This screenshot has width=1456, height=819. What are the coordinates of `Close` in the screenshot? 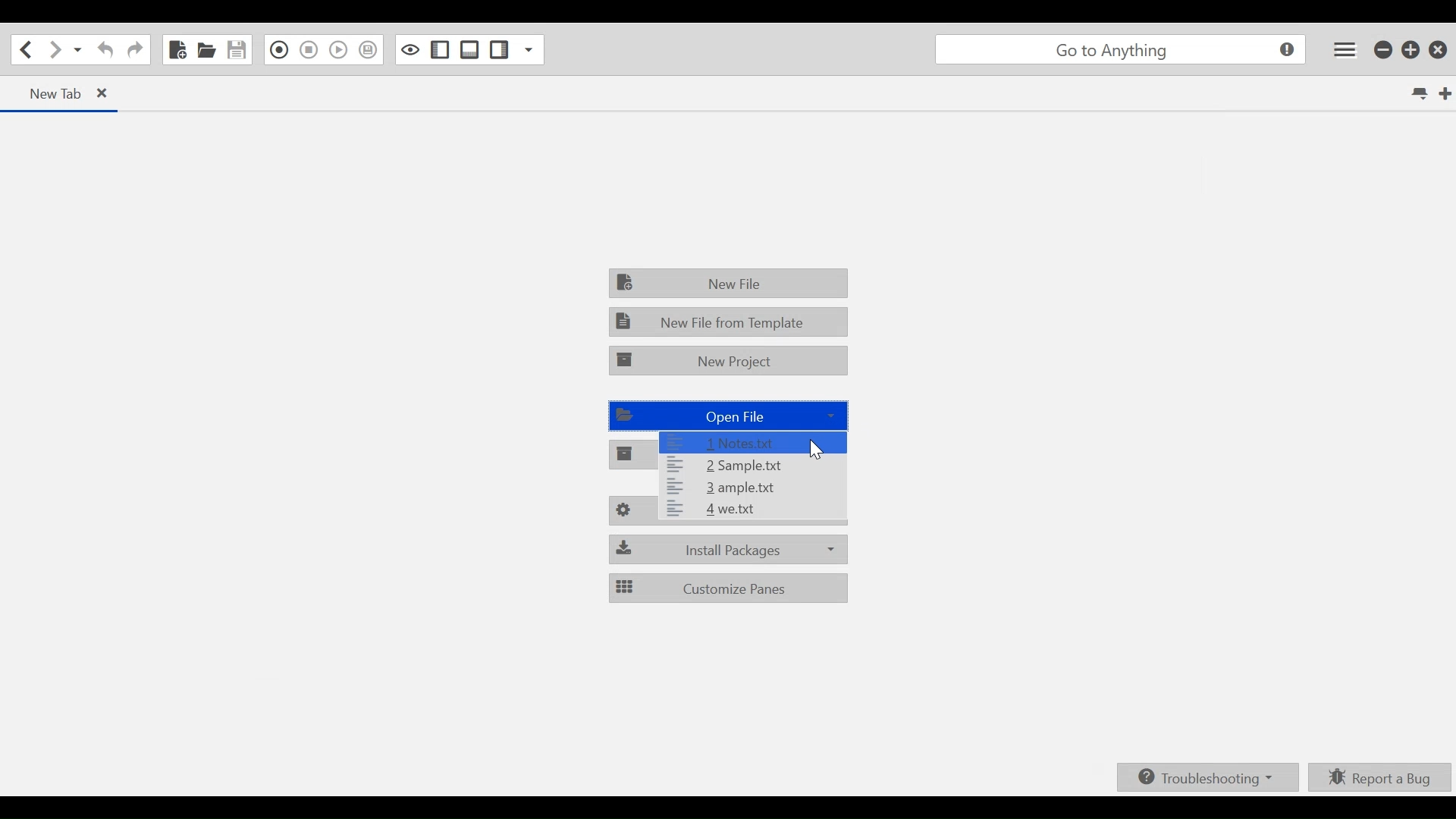 It's located at (1440, 47).